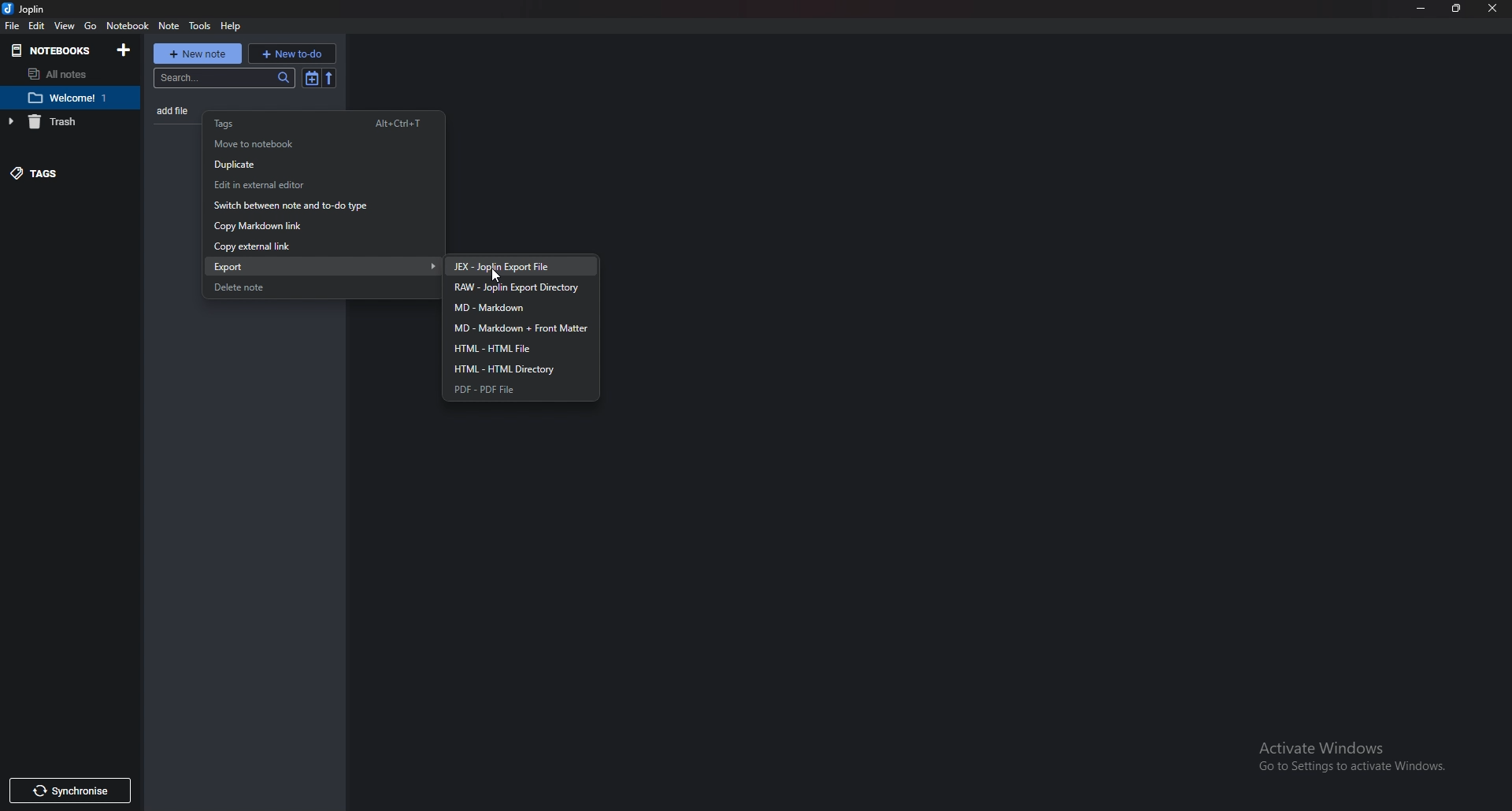  Describe the element at coordinates (309, 79) in the screenshot. I see `Toggle sort order` at that location.